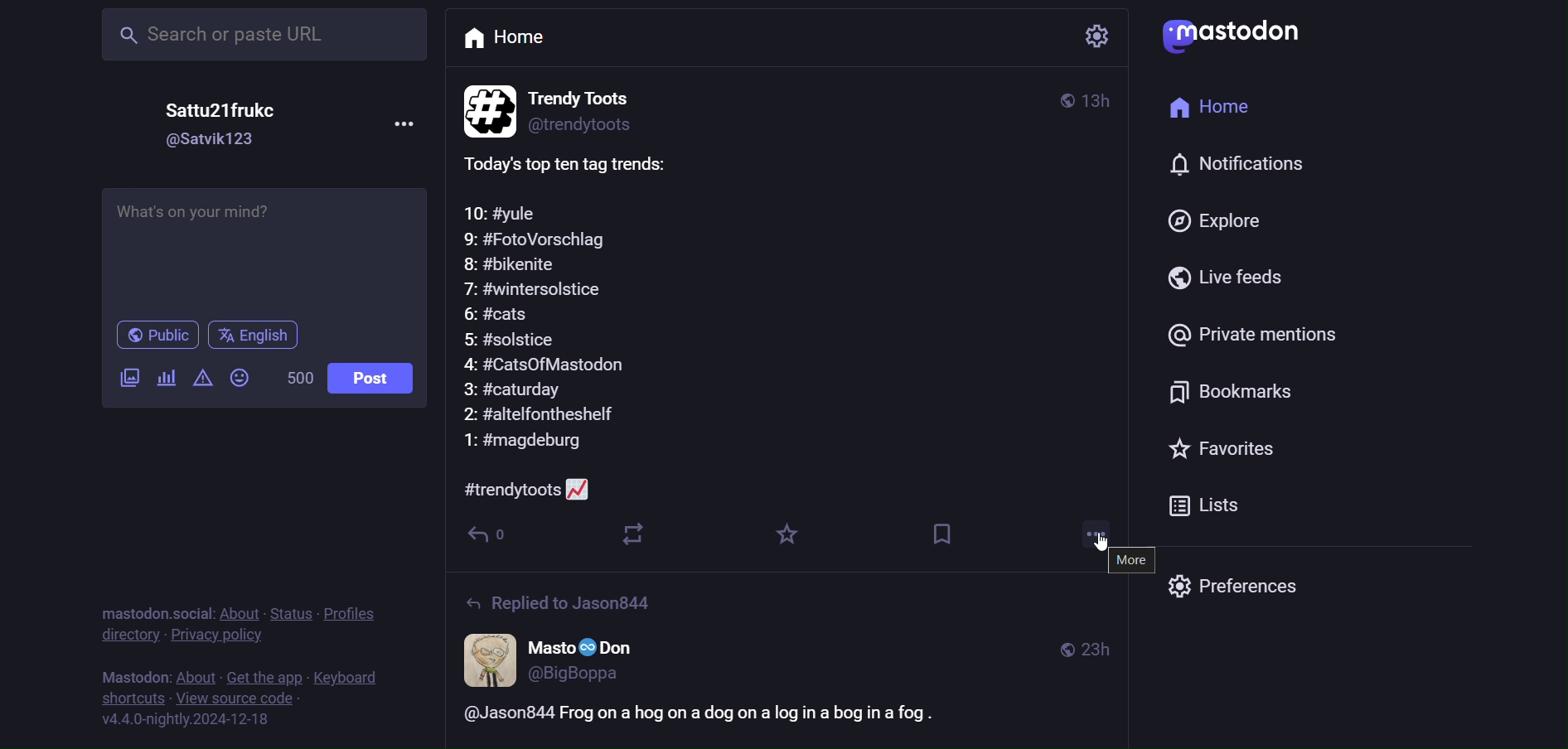 This screenshot has height=749, width=1568. I want to click on status, so click(293, 608).